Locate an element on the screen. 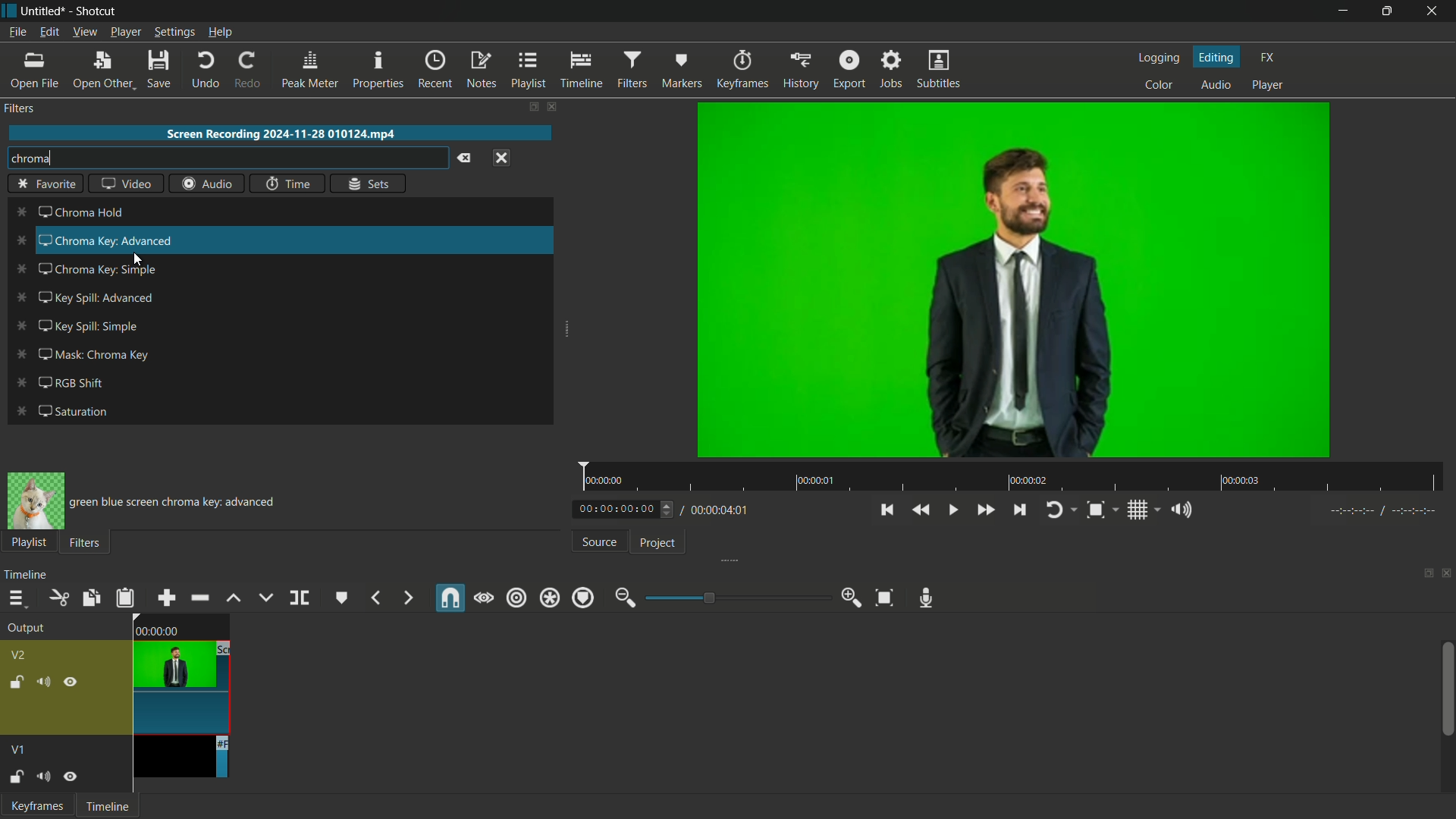  player menu is located at coordinates (125, 32).